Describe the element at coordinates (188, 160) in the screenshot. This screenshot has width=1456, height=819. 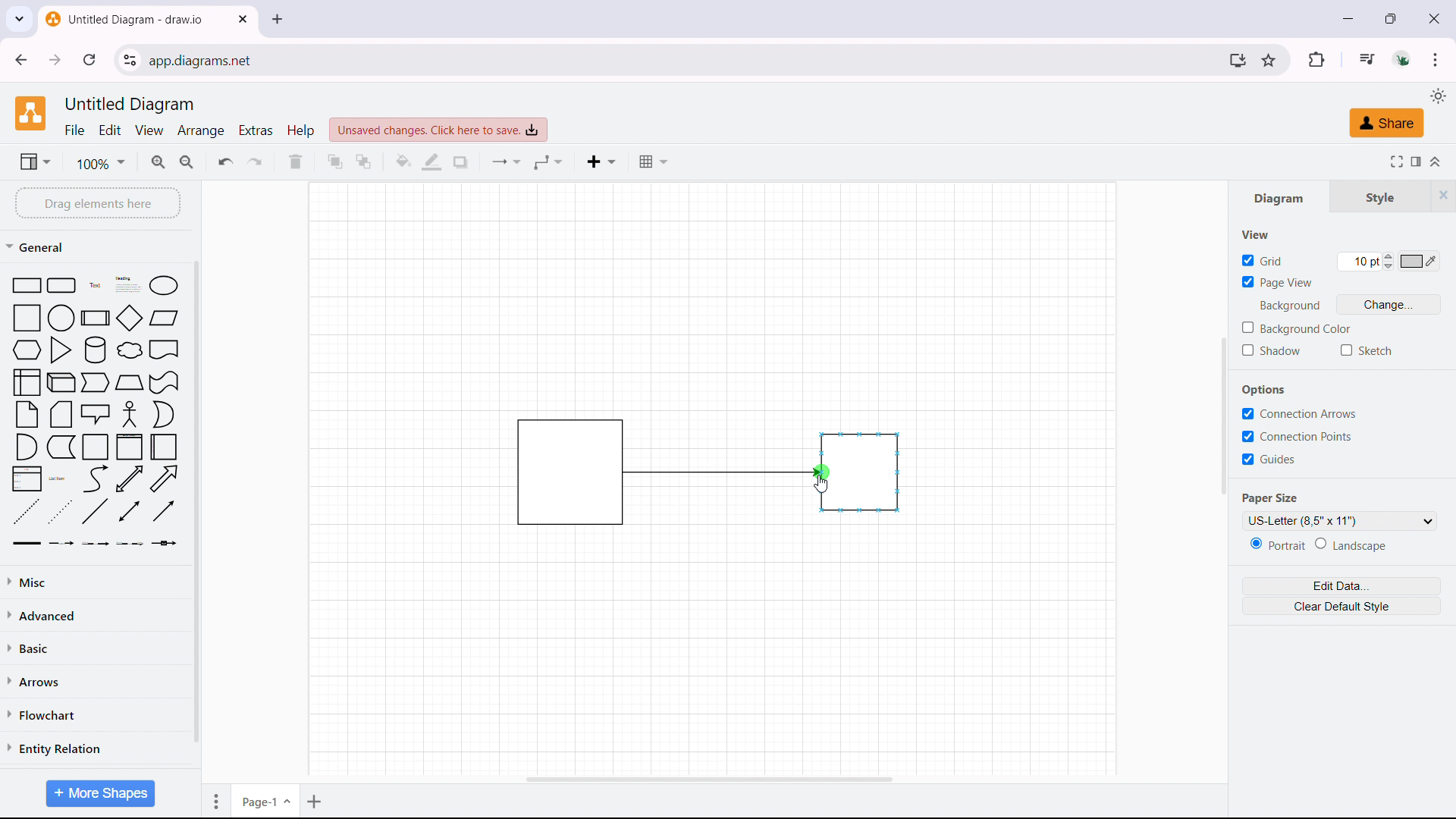
I see `zoom out` at that location.